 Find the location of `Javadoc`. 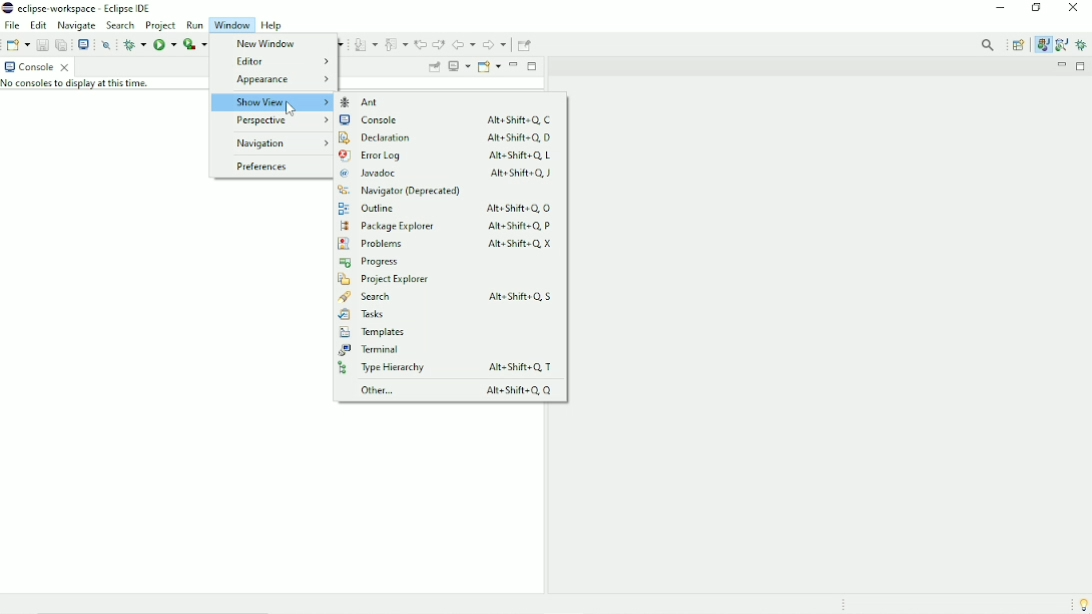

Javadoc is located at coordinates (447, 174).